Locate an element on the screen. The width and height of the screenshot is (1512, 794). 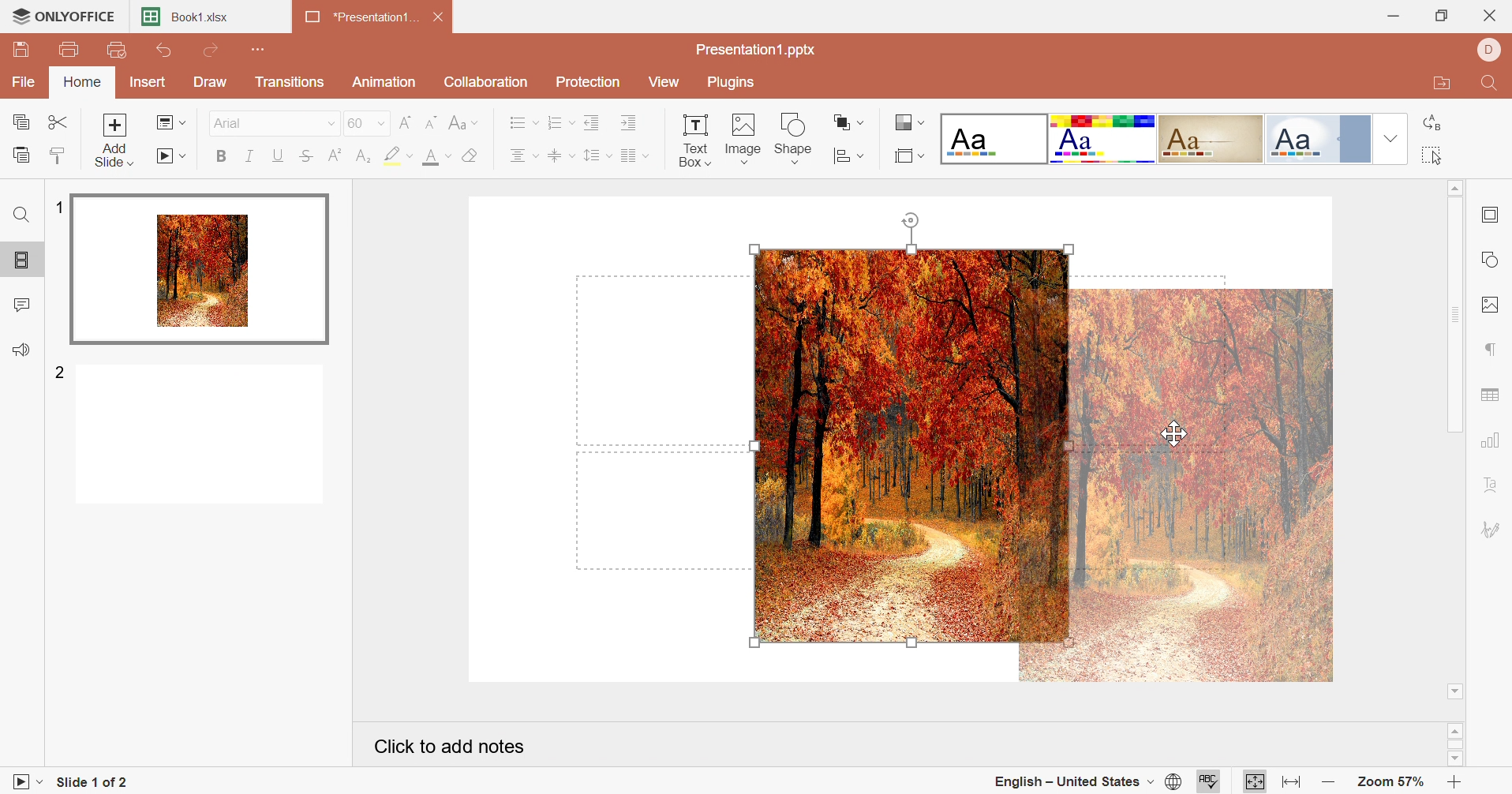
Classic is located at coordinates (1213, 138).